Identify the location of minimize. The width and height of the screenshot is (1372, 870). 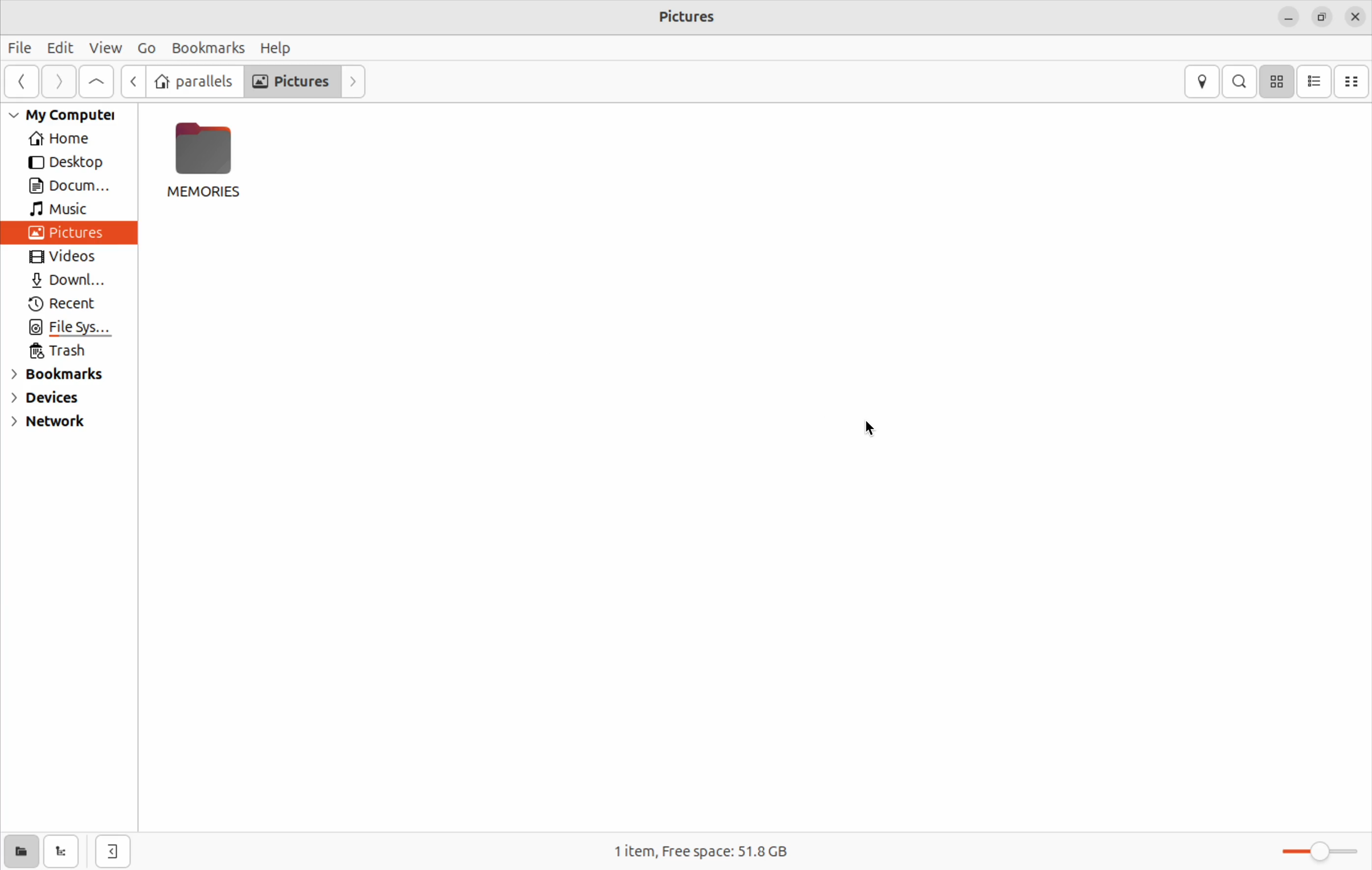
(1288, 18).